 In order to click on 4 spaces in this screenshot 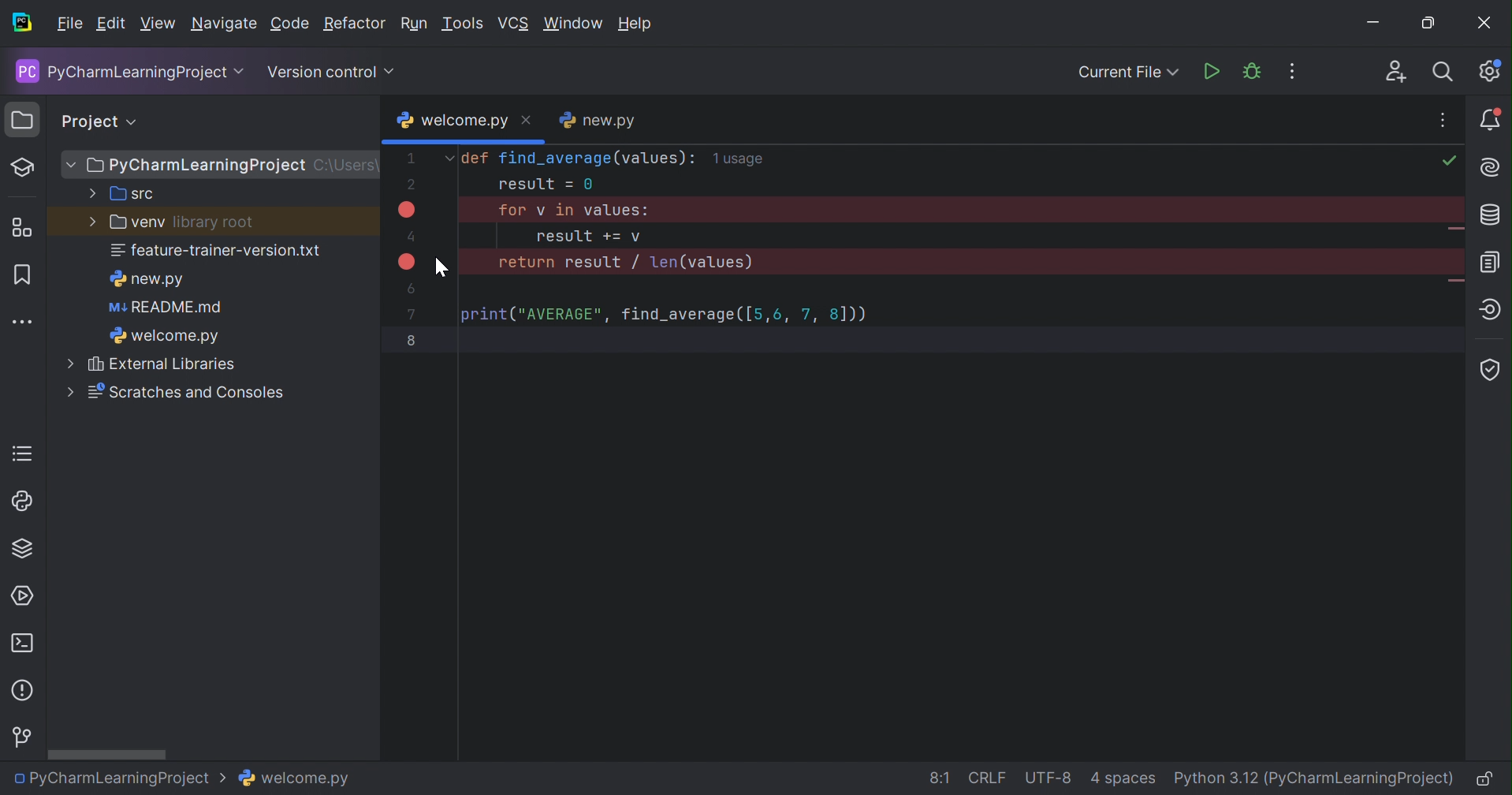, I will do `click(1125, 778)`.